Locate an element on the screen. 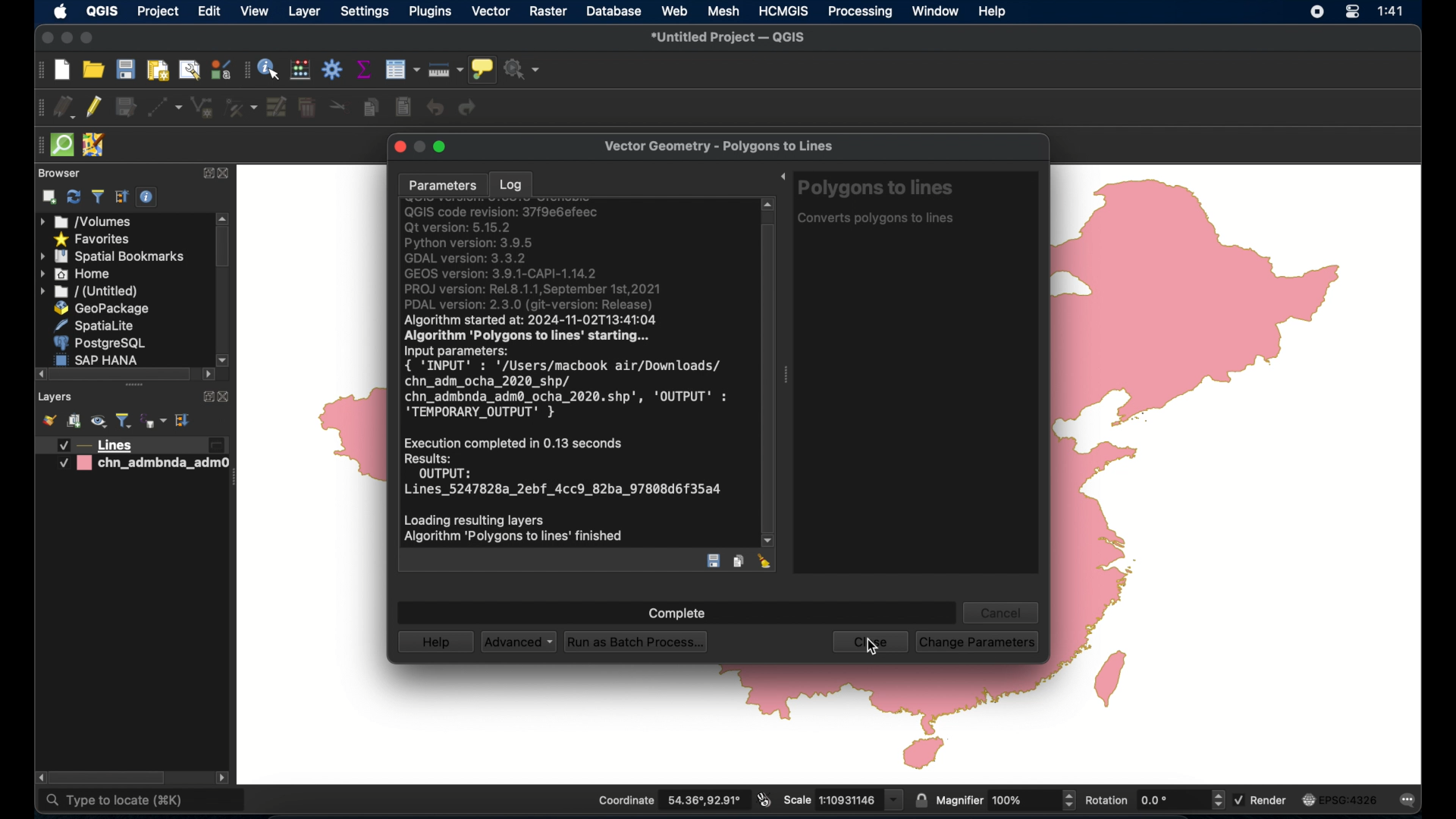 This screenshot has width=1456, height=819. QGIS is located at coordinates (101, 11).